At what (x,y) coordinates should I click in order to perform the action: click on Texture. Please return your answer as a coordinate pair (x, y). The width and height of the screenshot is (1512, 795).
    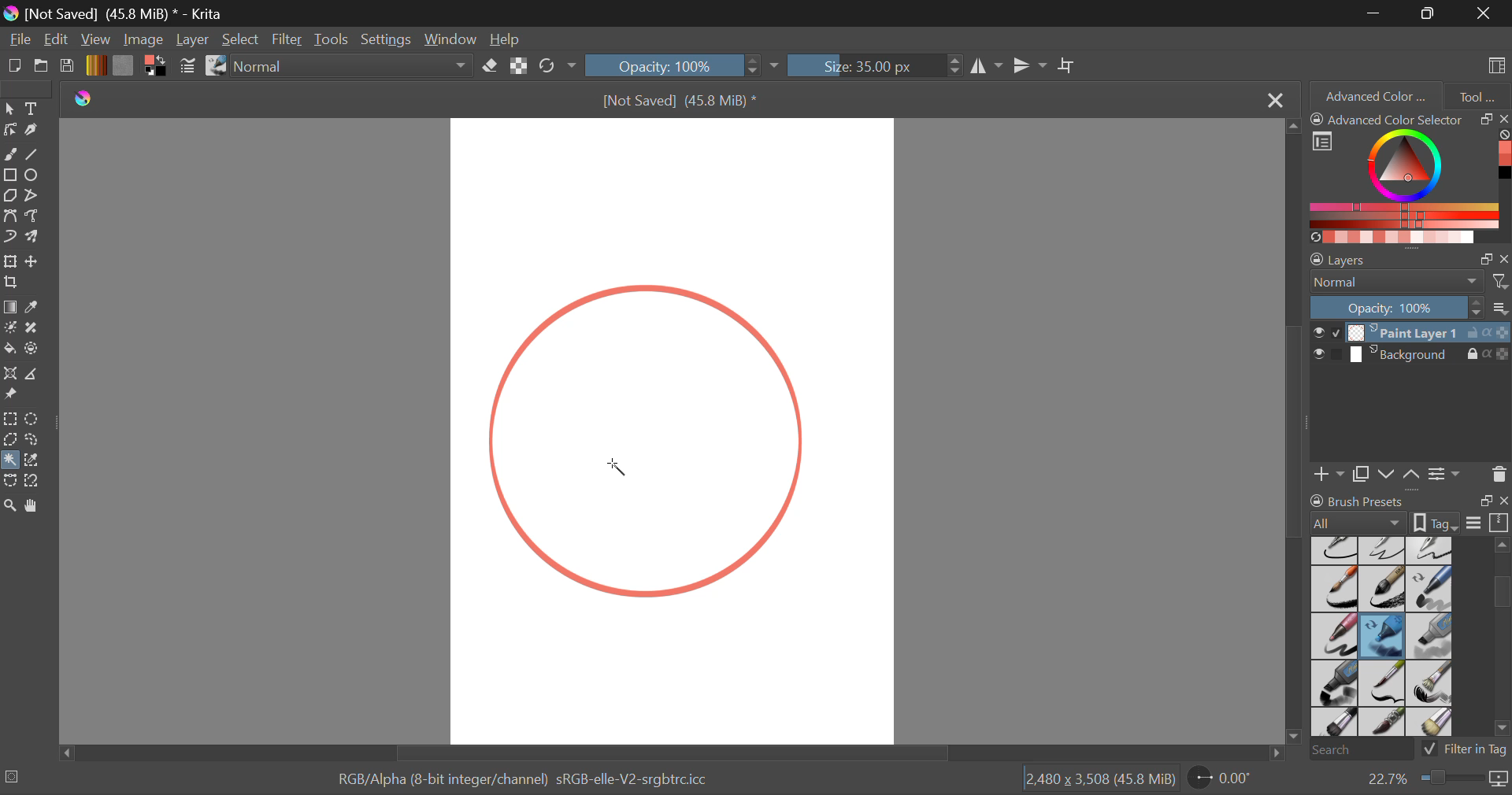
    Looking at the image, I should click on (123, 65).